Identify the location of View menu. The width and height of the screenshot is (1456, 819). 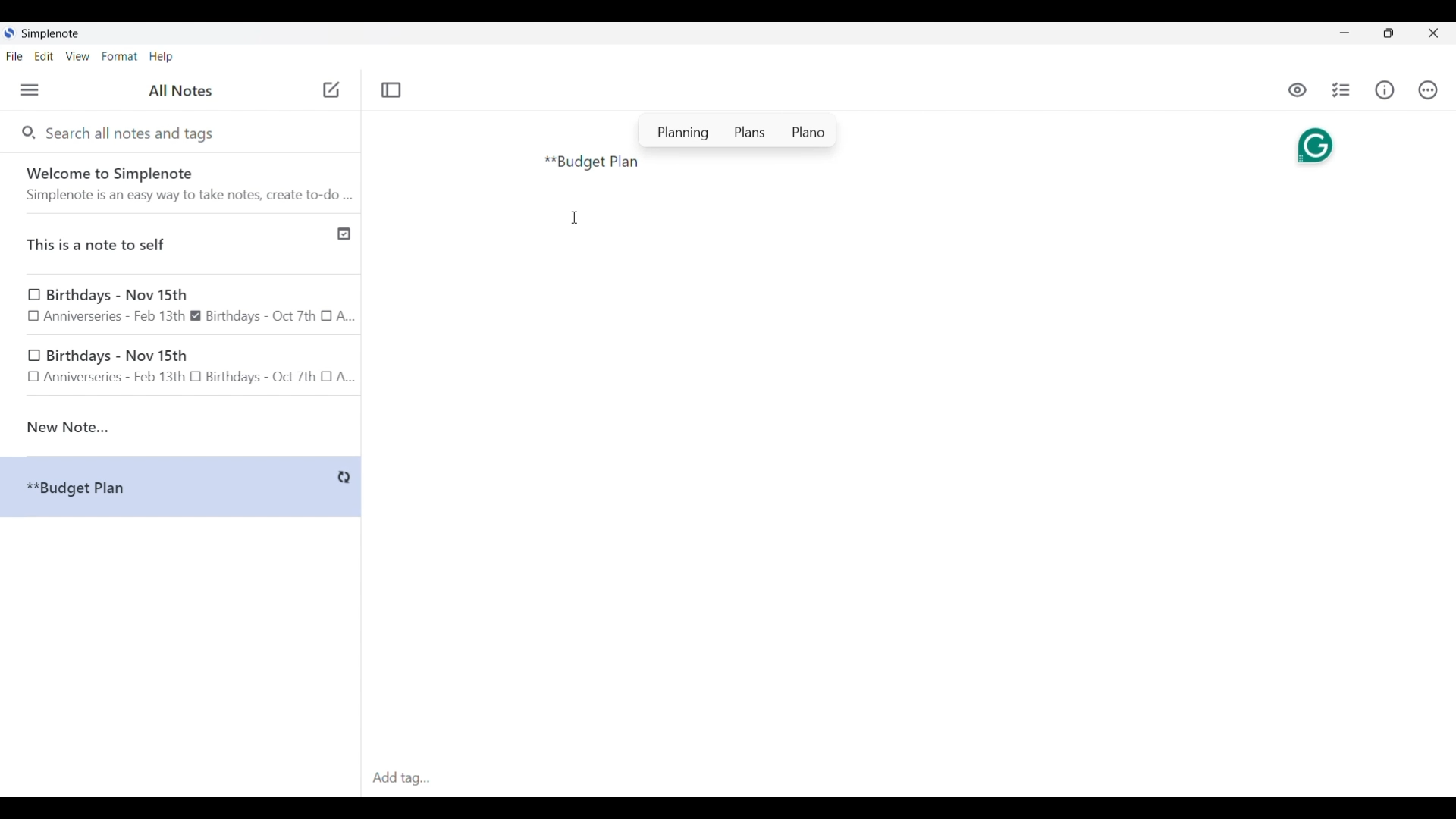
(78, 55).